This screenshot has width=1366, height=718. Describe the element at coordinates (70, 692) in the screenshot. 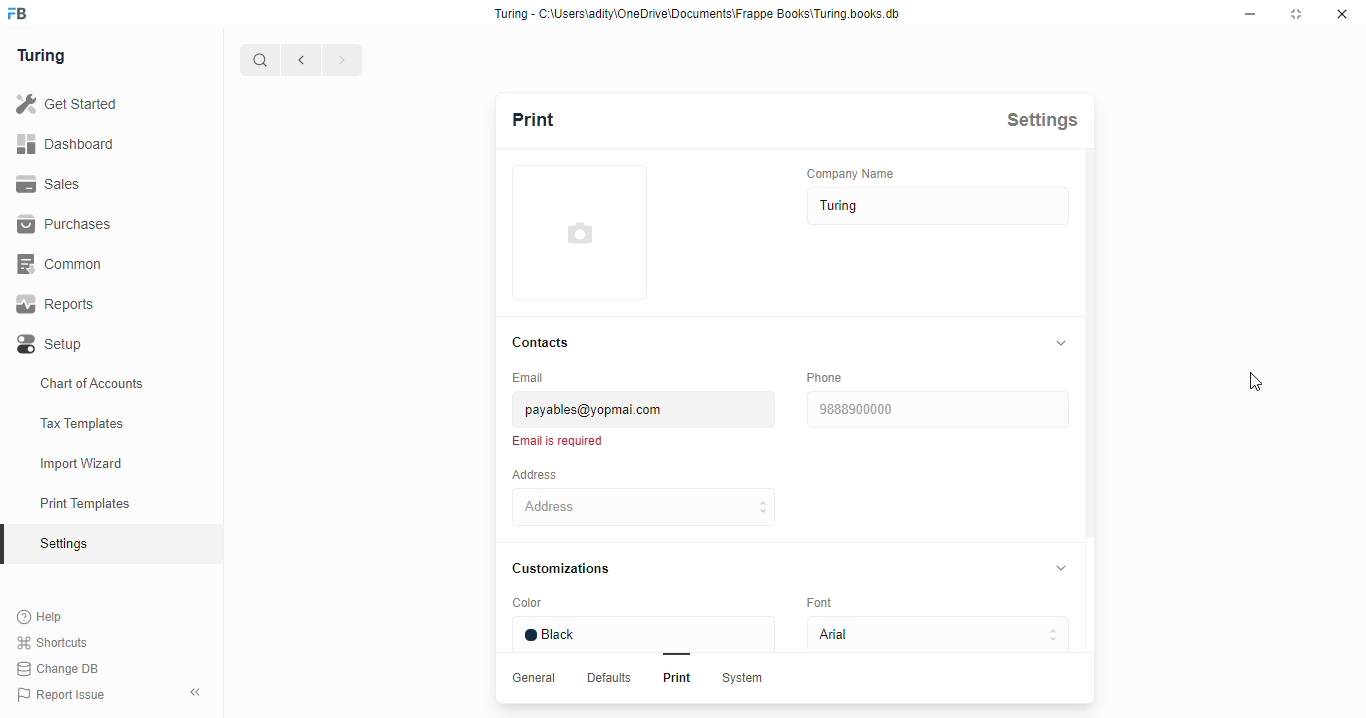

I see `Report Issue` at that location.